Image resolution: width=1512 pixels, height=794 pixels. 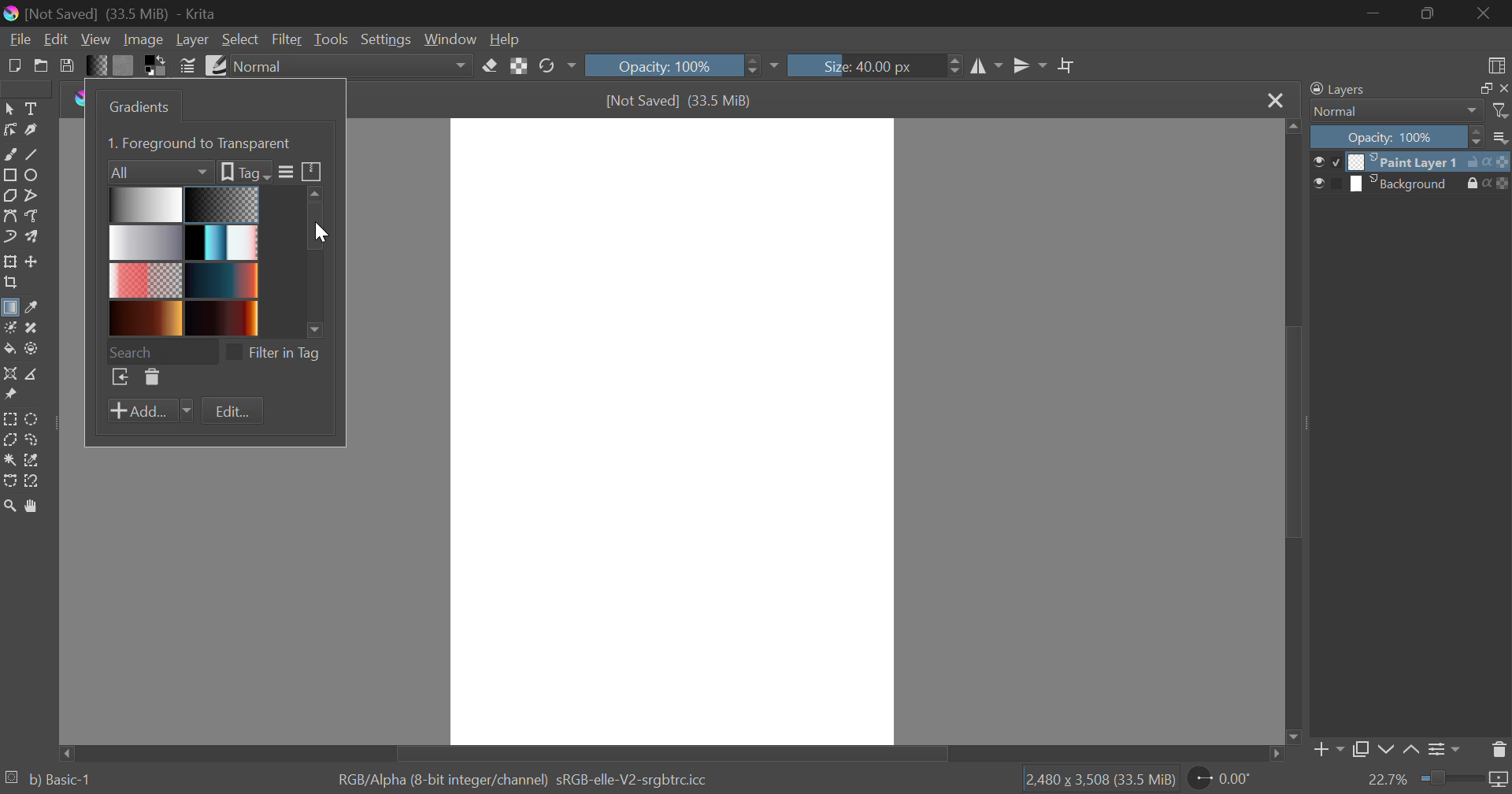 I want to click on unlock, so click(x=1476, y=161).